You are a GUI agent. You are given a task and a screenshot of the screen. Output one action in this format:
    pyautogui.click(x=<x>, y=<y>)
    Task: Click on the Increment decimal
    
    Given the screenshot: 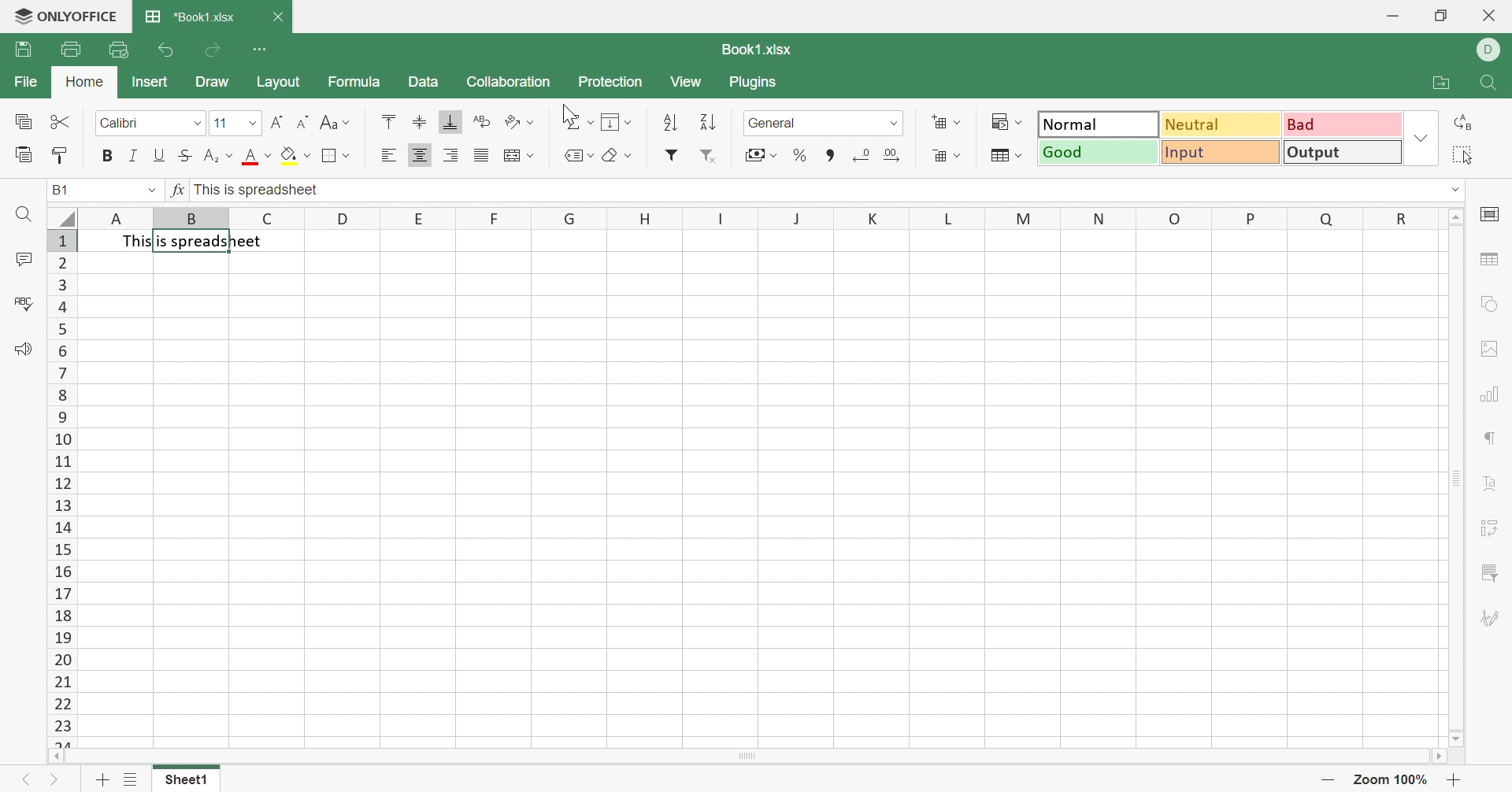 What is the action you would take?
    pyautogui.click(x=892, y=154)
    